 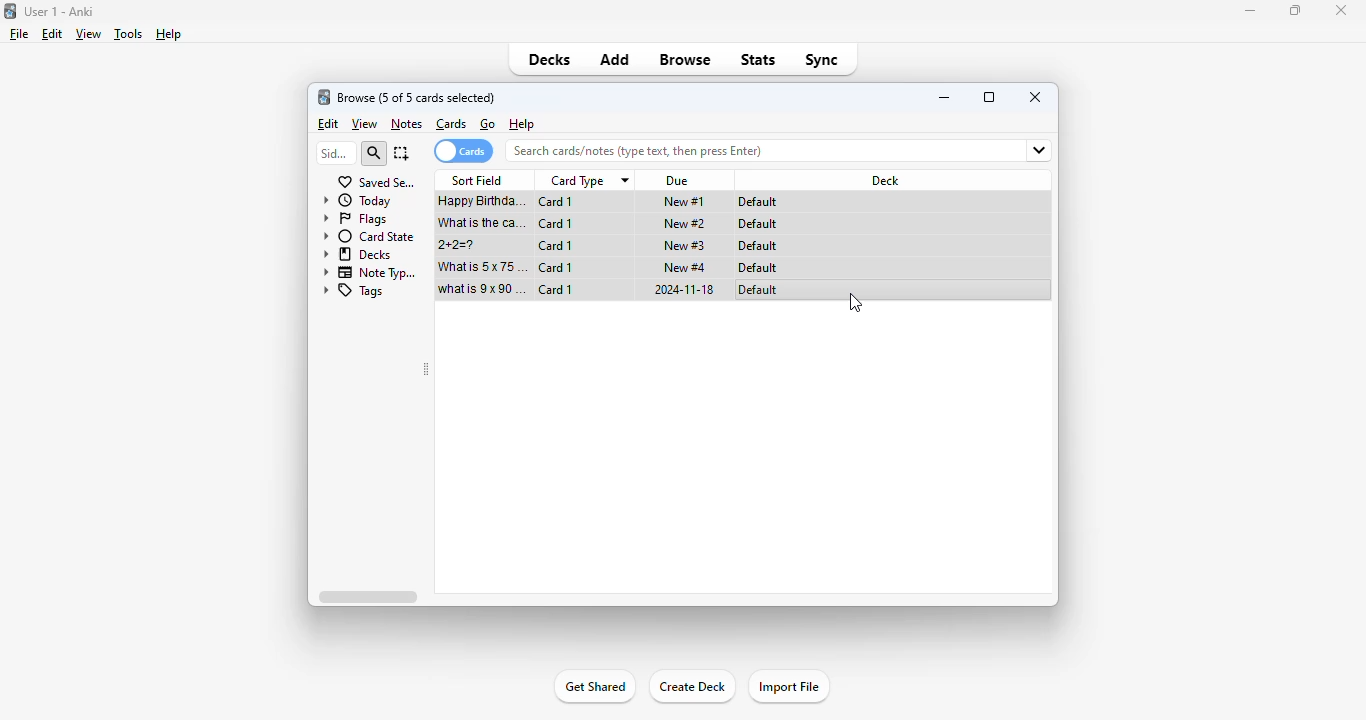 What do you see at coordinates (682, 289) in the screenshot?
I see `2024-11-18` at bounding box center [682, 289].